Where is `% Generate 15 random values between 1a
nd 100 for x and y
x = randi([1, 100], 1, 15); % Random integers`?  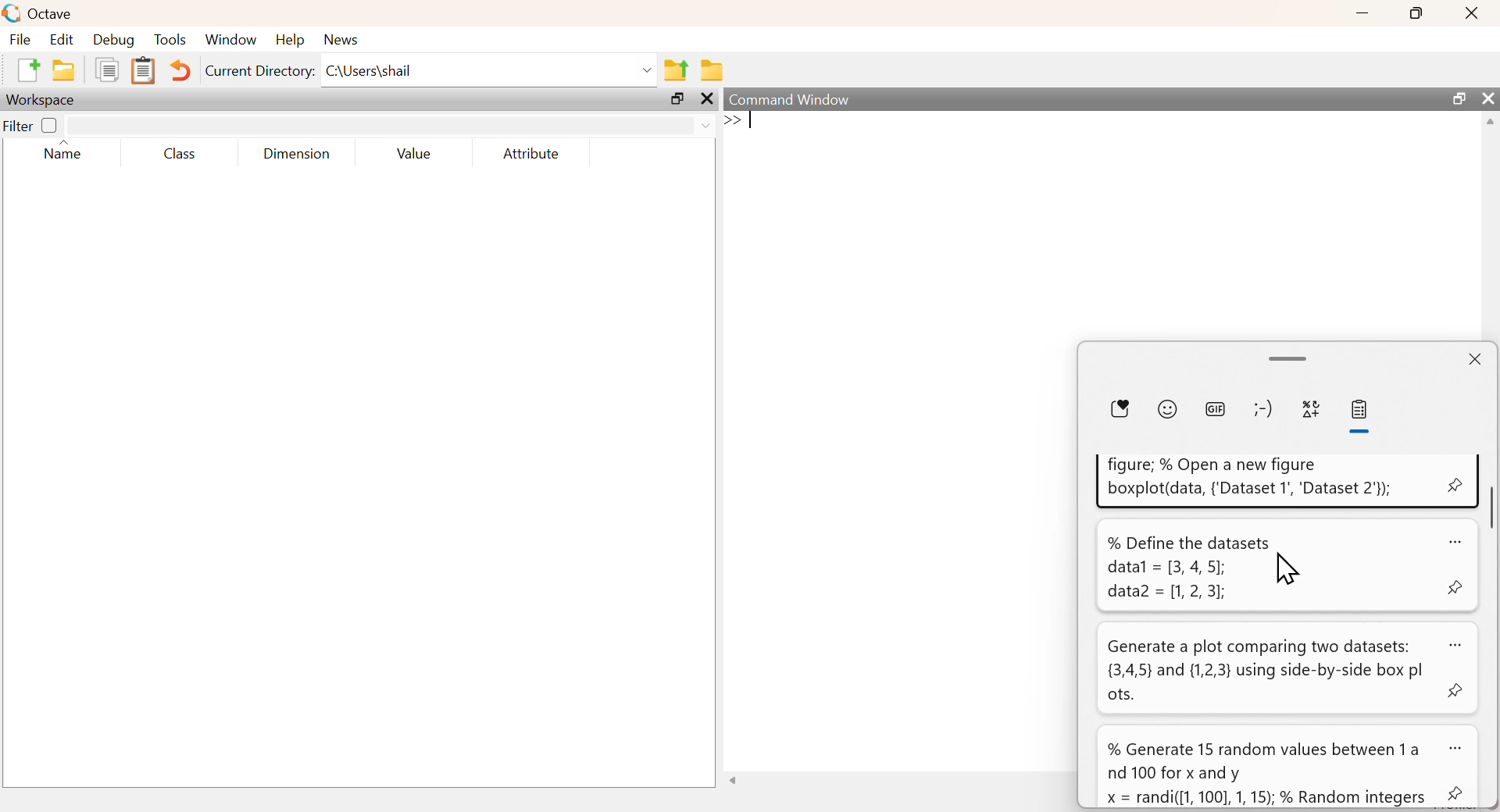 % Generate 15 random values between 1a
nd 100 for x and y
x = randi([1, 100], 1, 15); % Random integers is located at coordinates (1270, 775).